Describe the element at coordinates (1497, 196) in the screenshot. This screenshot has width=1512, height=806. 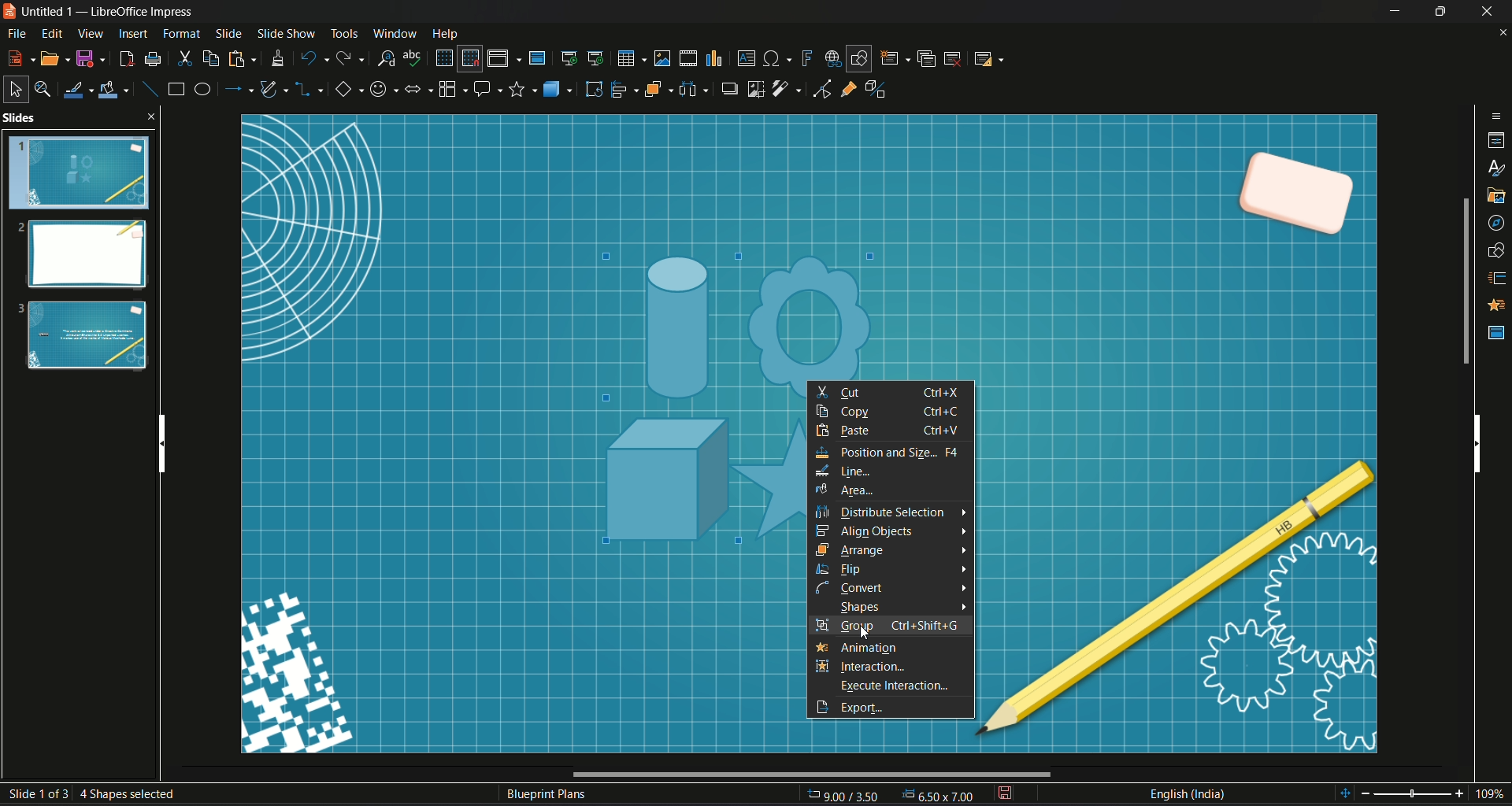
I see `gallery` at that location.